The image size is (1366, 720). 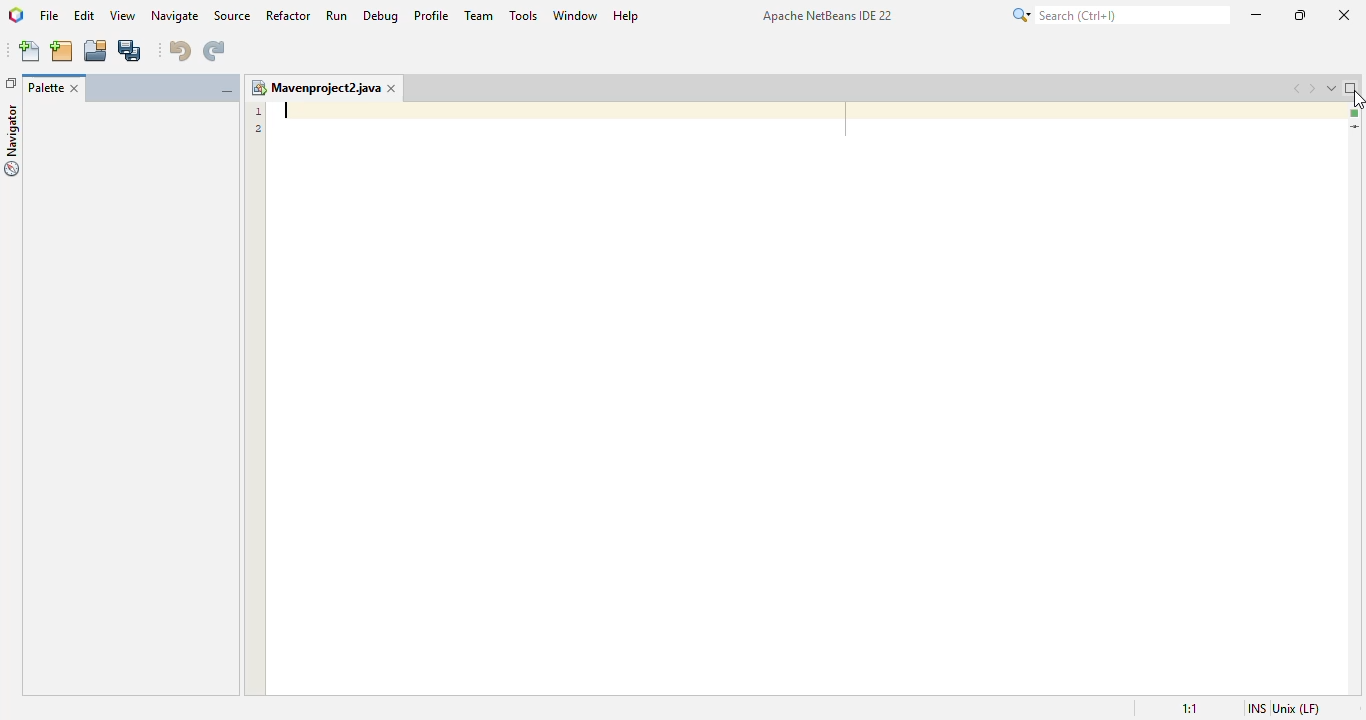 What do you see at coordinates (1351, 87) in the screenshot?
I see `maximize window` at bounding box center [1351, 87].